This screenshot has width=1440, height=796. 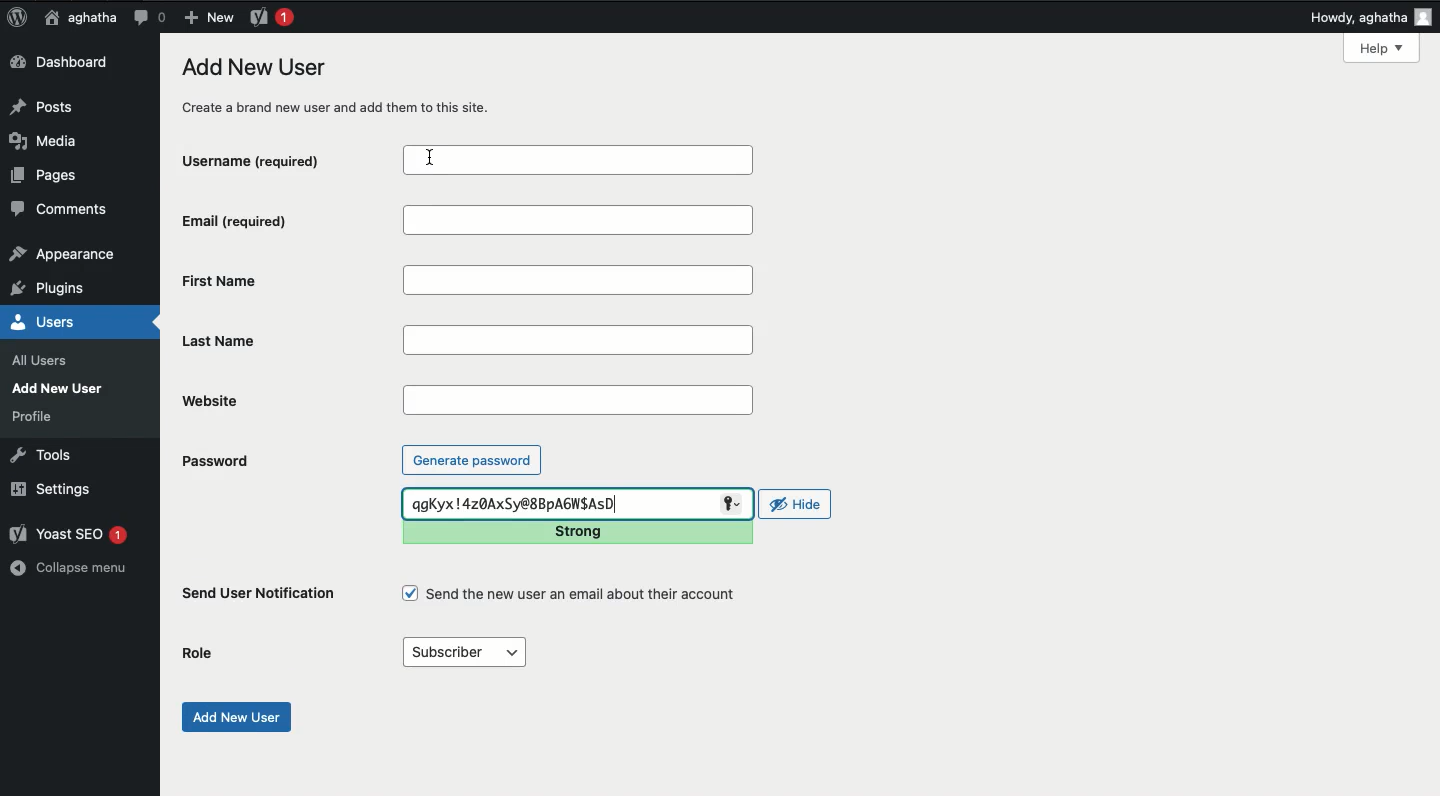 I want to click on Pages, so click(x=50, y=179).